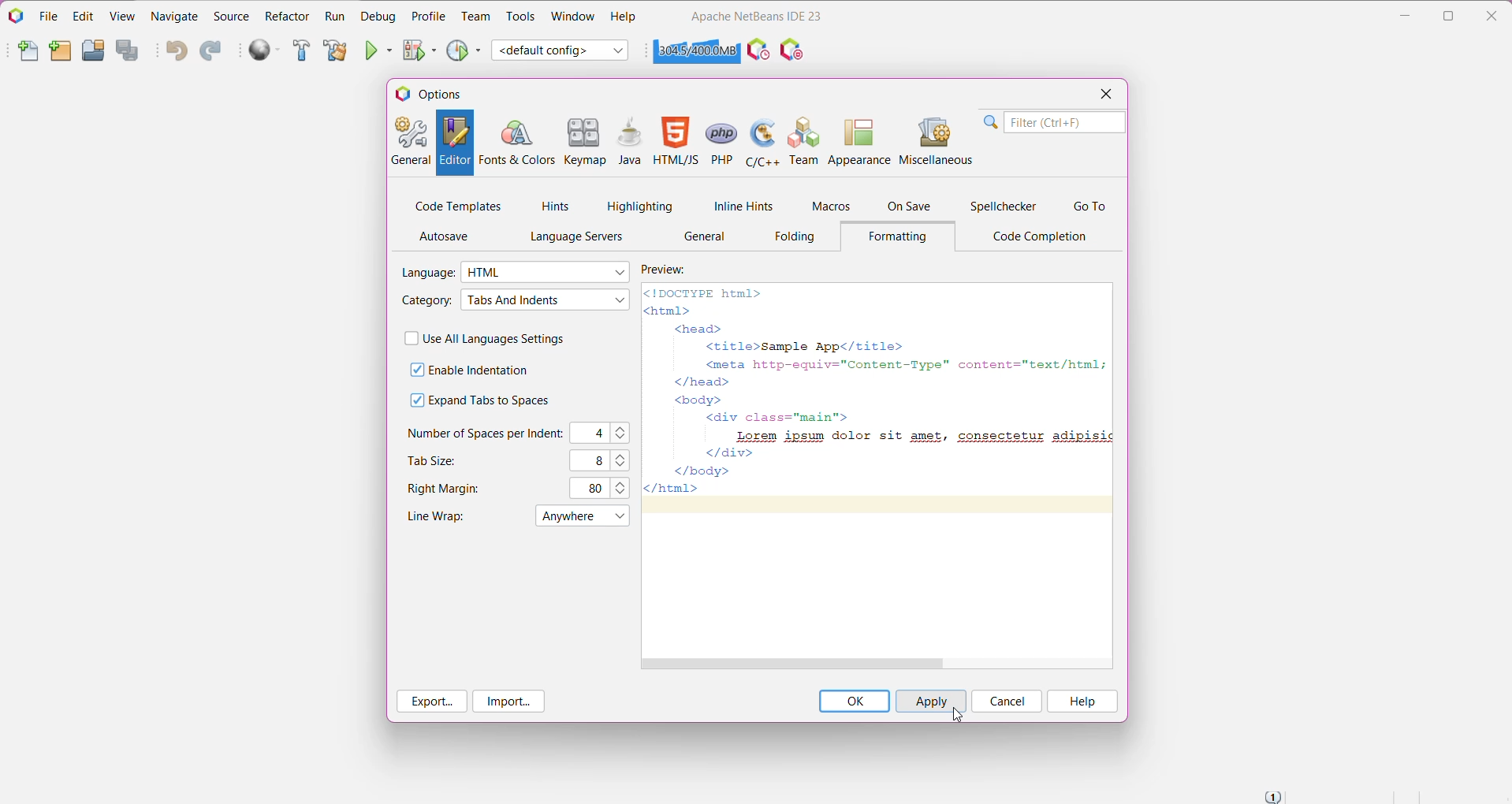 The width and height of the screenshot is (1512, 804). Describe the element at coordinates (266, 50) in the screenshot. I see `Run All` at that location.